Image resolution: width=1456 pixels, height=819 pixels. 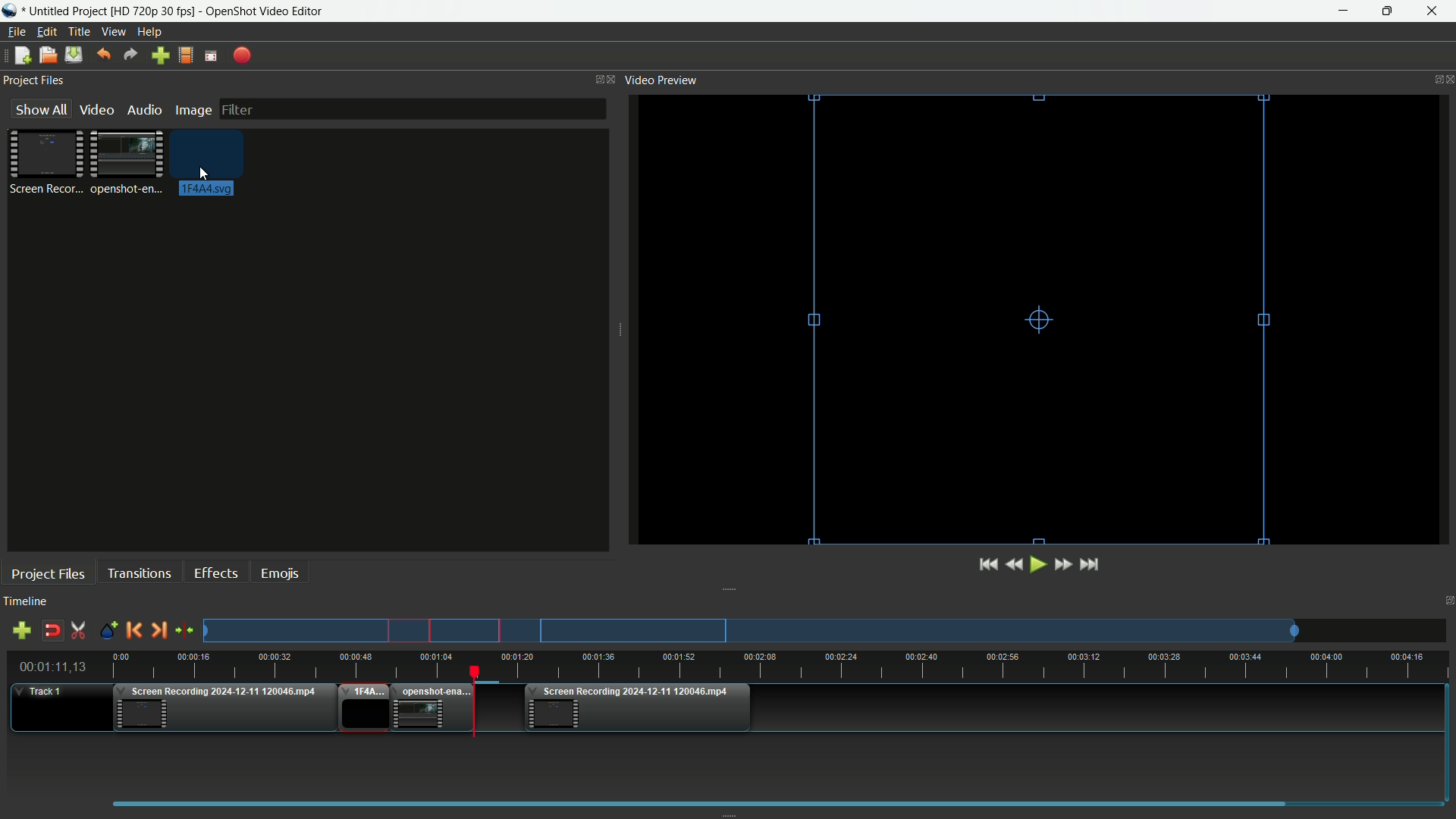 What do you see at coordinates (57, 667) in the screenshot?
I see `Current time` at bounding box center [57, 667].